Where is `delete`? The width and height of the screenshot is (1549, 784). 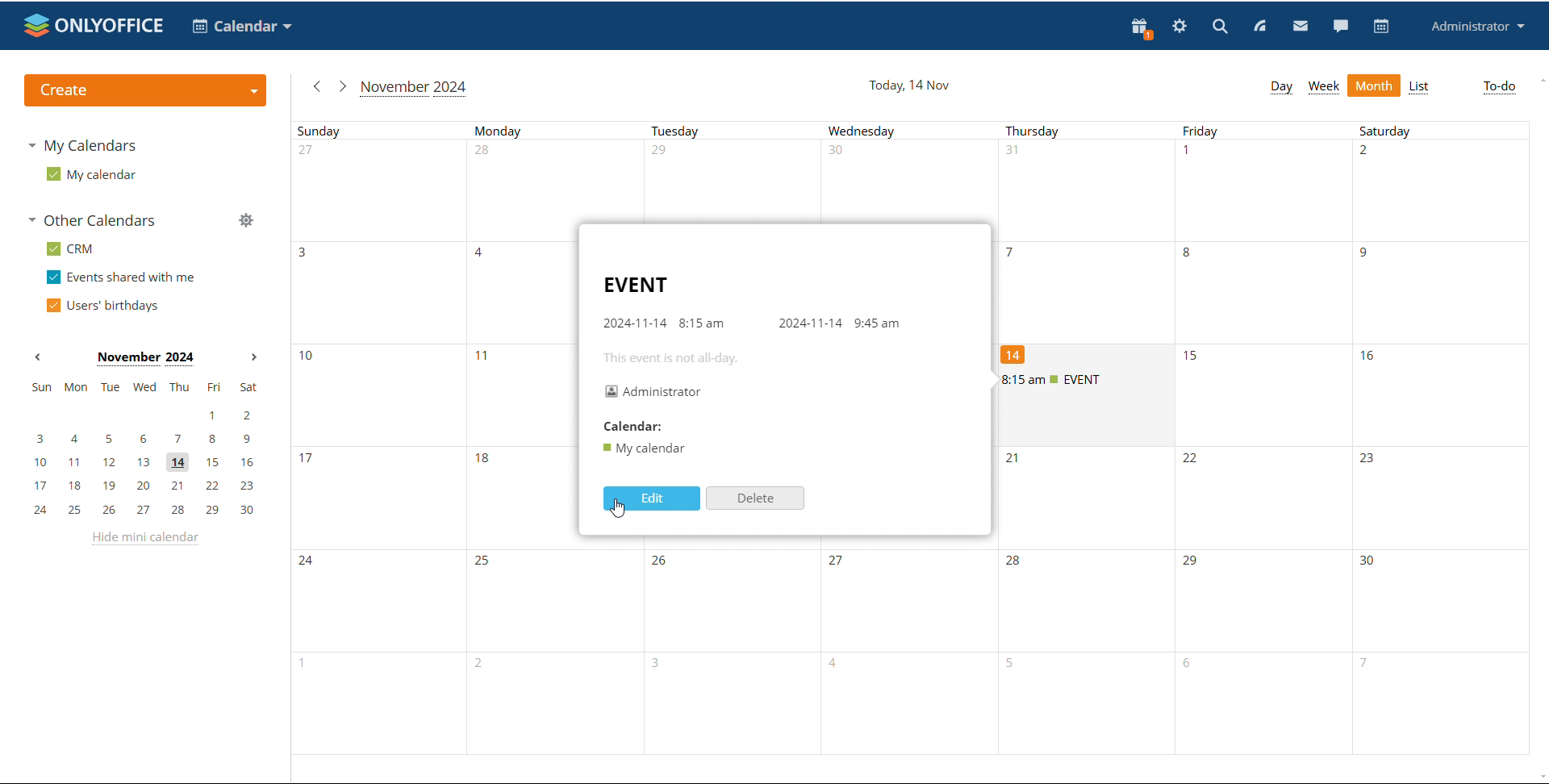
delete is located at coordinates (755, 497).